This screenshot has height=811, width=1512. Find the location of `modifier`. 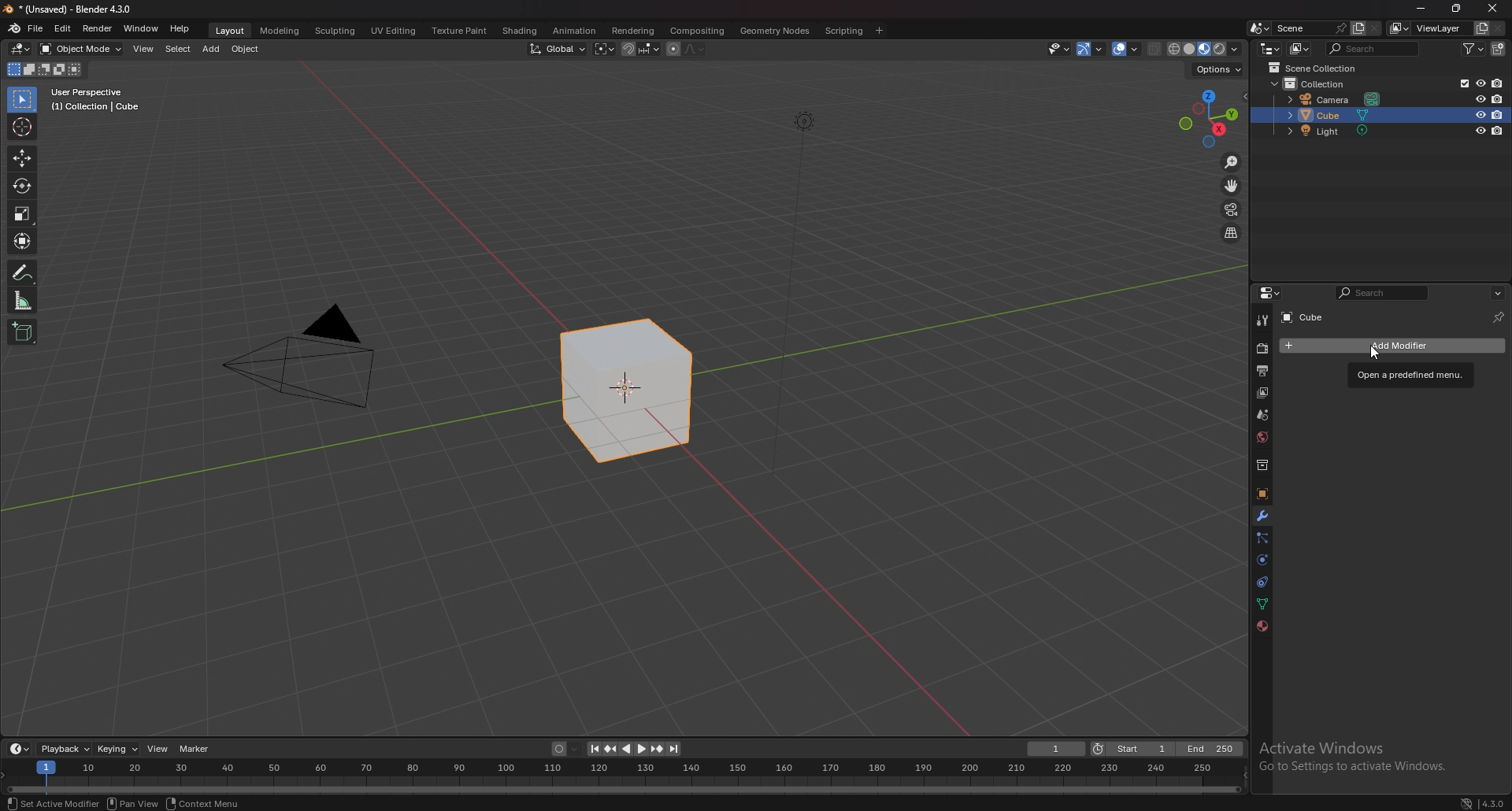

modifier is located at coordinates (1261, 517).